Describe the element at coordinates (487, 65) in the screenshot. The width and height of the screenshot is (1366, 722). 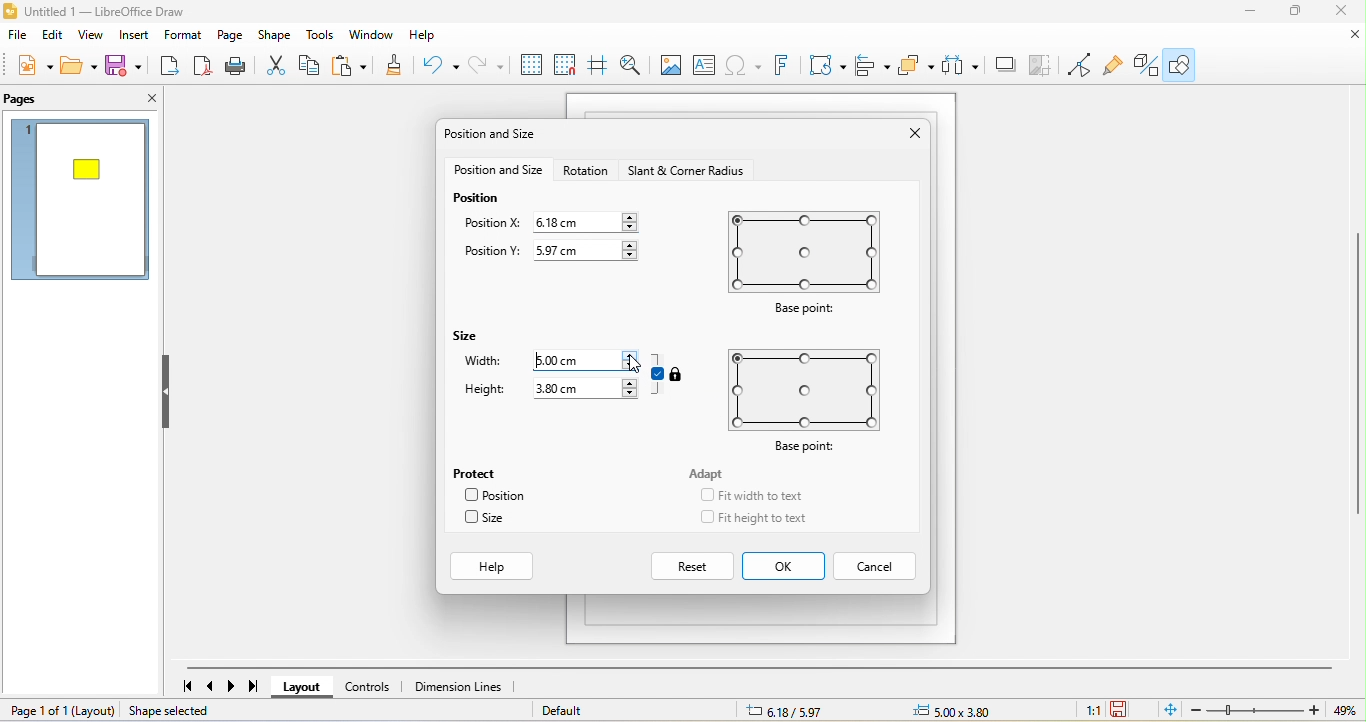
I see `redo` at that location.